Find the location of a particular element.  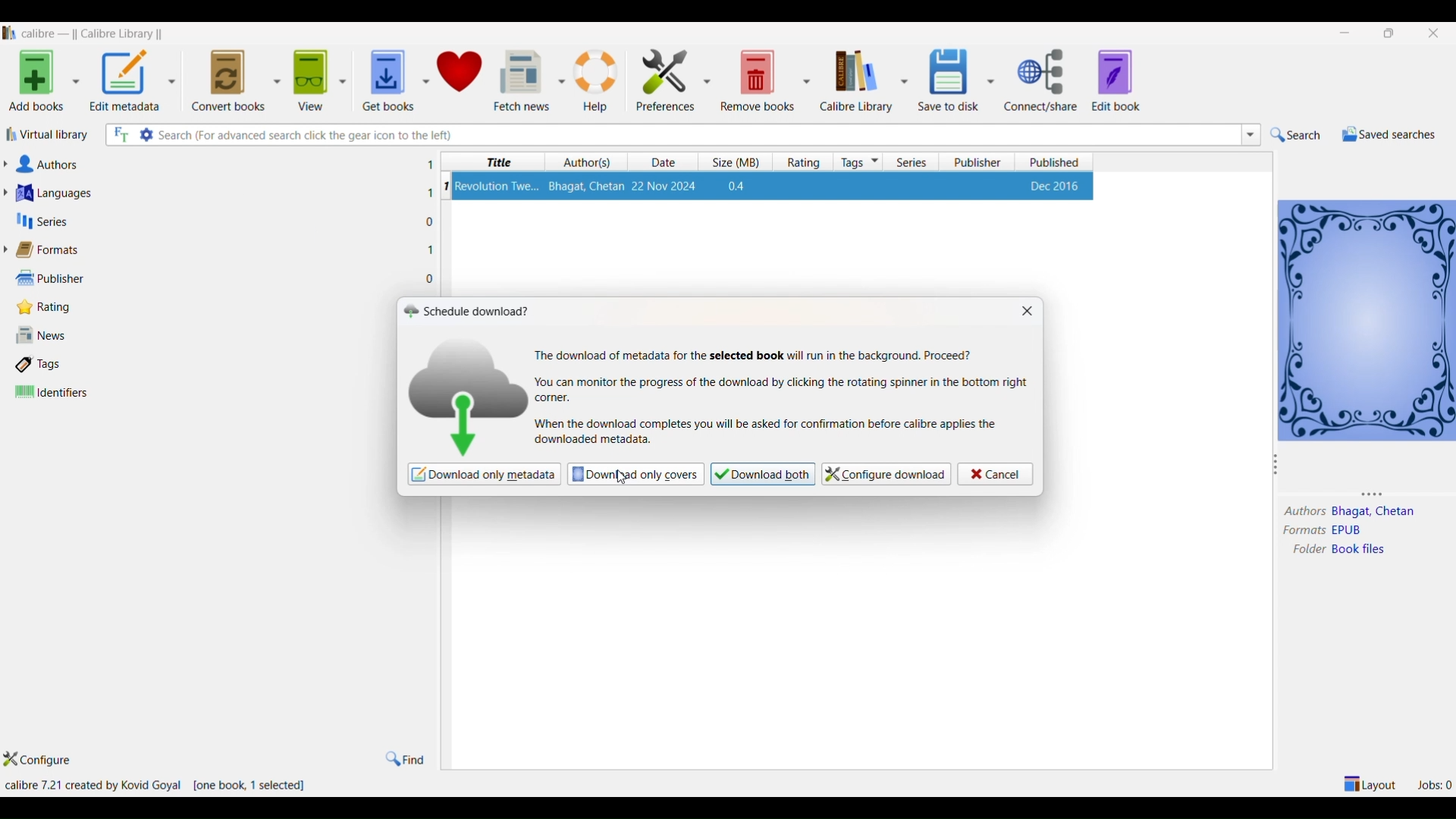

search dropdown button is located at coordinates (1249, 134).